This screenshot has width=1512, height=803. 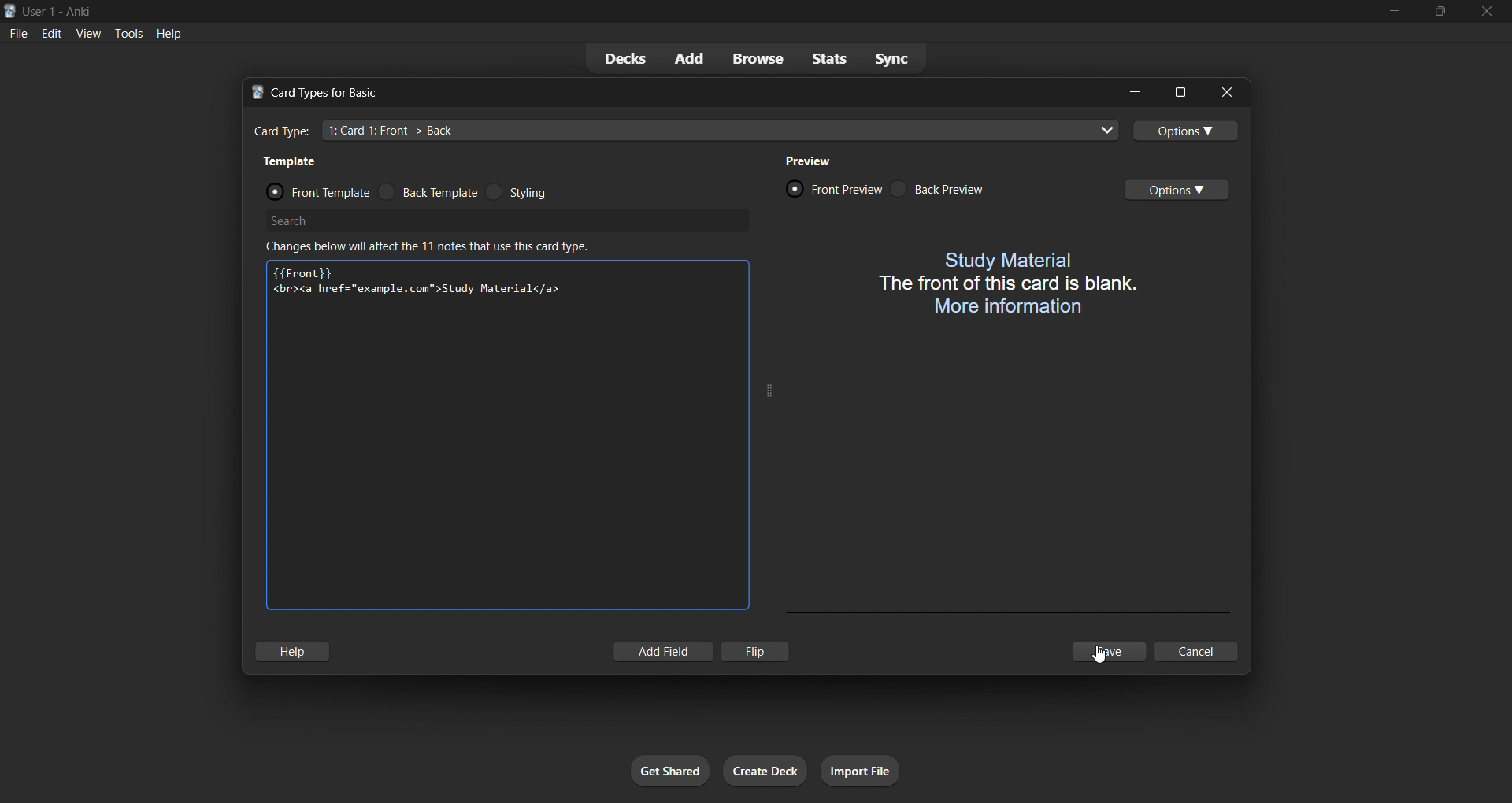 I want to click on new text, so click(x=420, y=290).